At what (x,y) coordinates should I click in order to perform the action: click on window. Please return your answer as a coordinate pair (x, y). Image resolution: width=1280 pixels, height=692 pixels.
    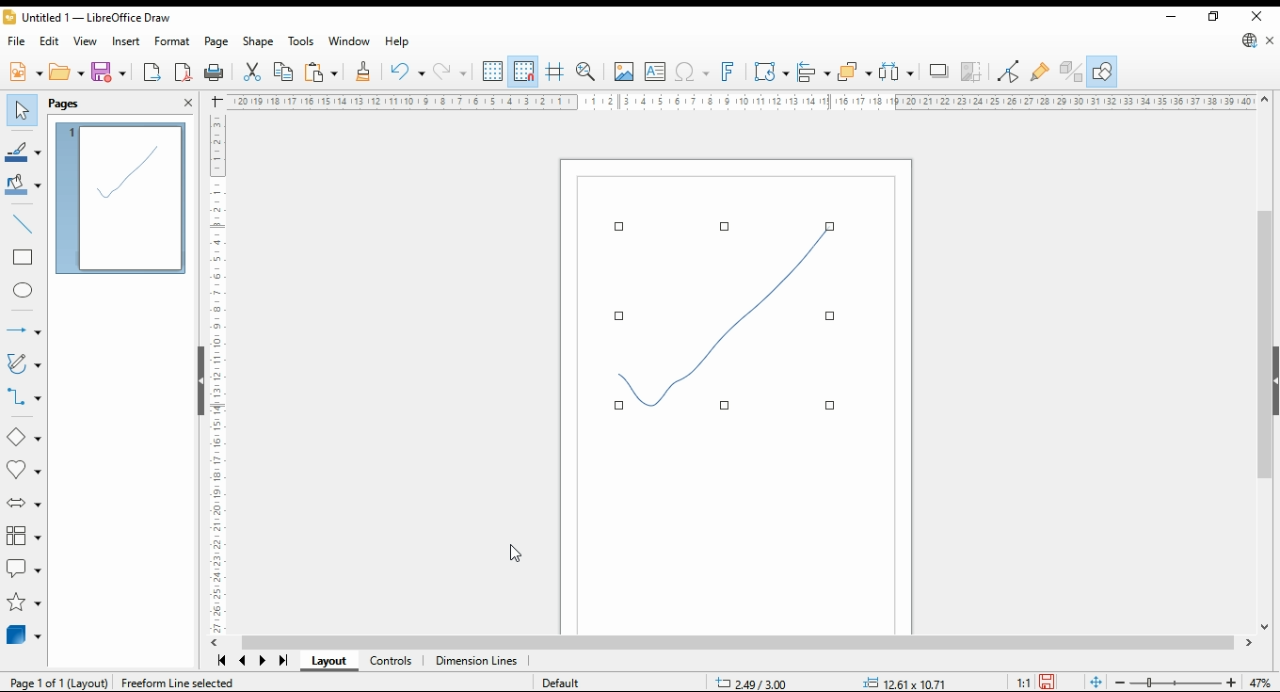
    Looking at the image, I should click on (349, 41).